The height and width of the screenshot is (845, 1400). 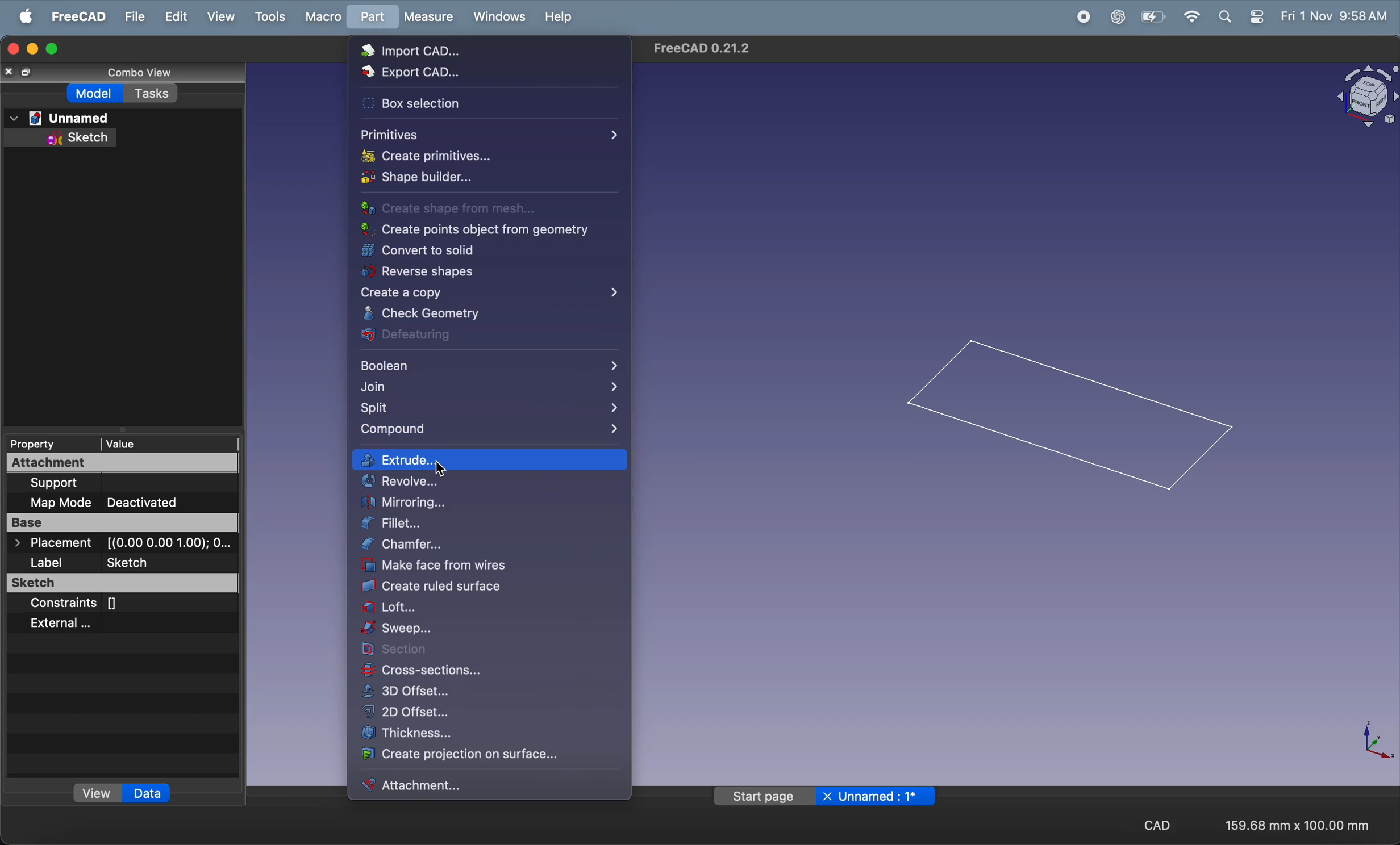 I want to click on battery, so click(x=1155, y=16).